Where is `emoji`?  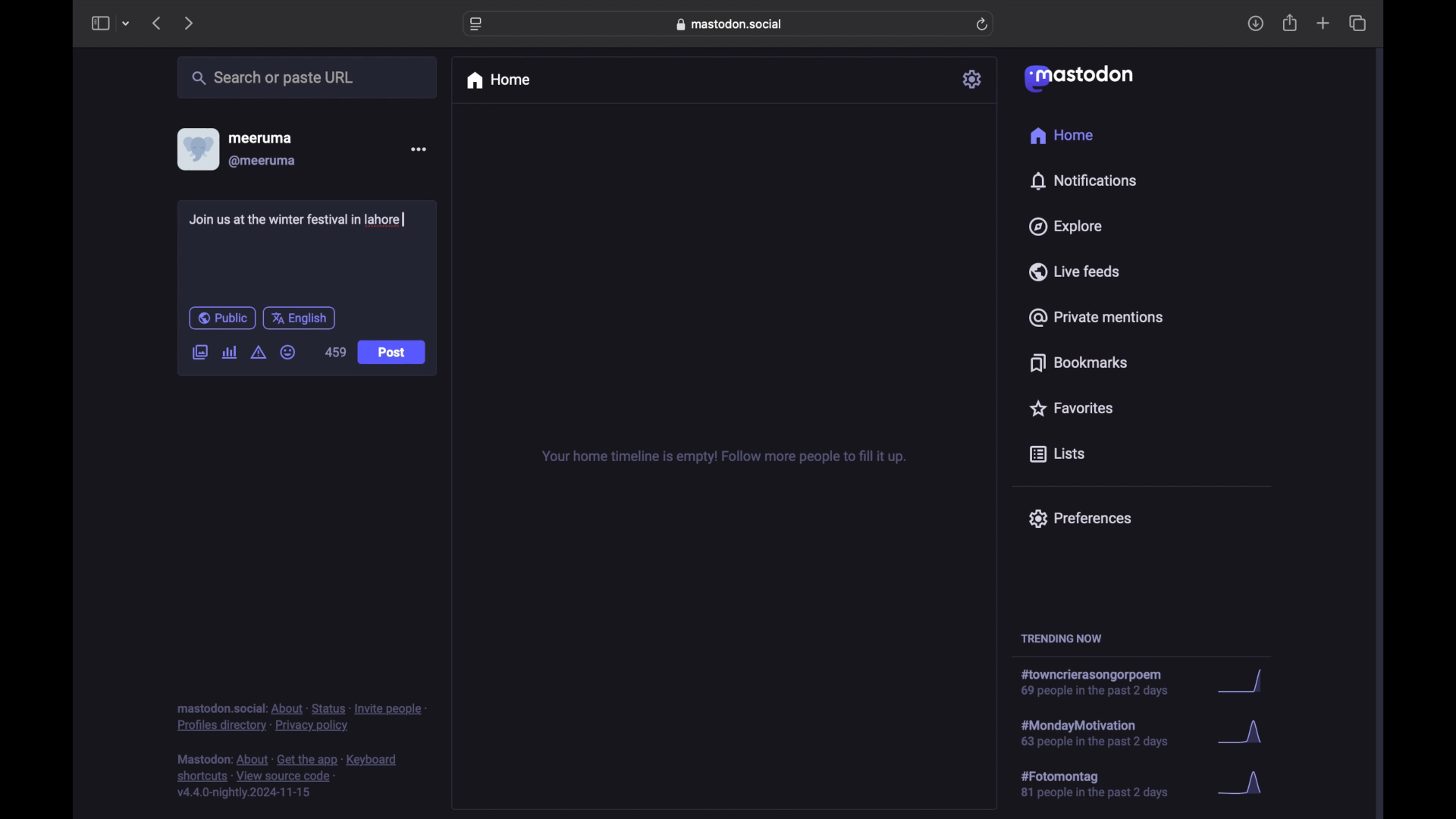
emoji is located at coordinates (288, 353).